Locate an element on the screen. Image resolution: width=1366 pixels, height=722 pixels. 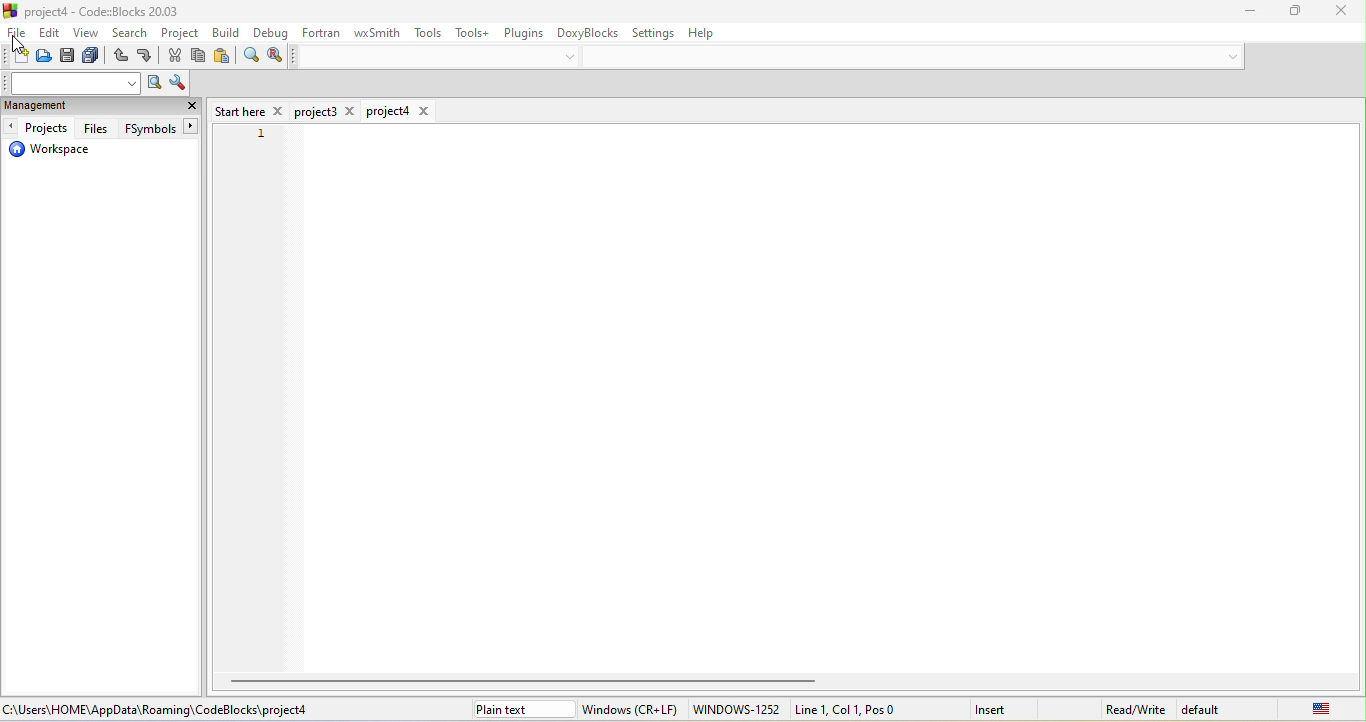
edit is located at coordinates (51, 34).